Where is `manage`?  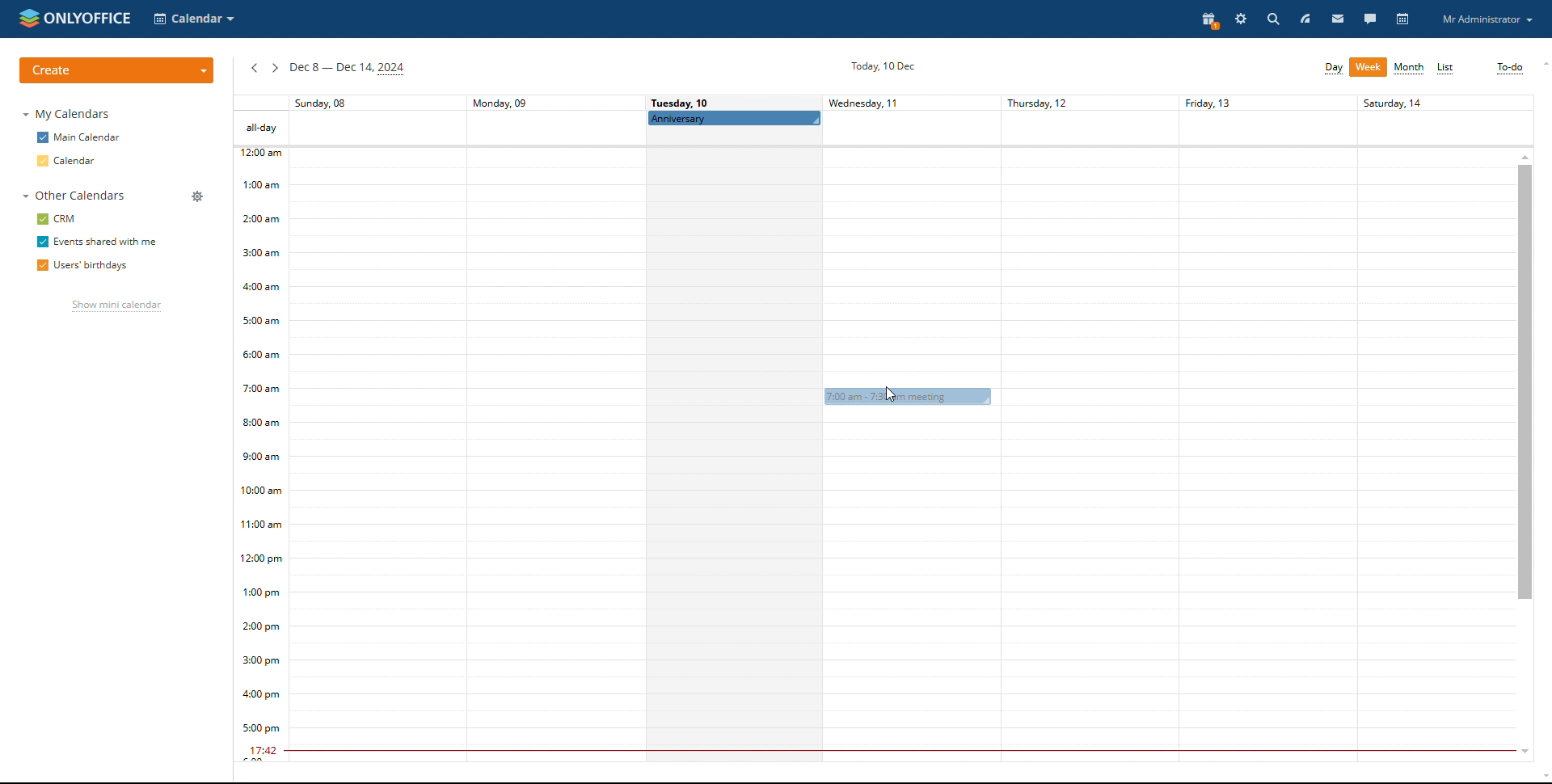
manage is located at coordinates (197, 196).